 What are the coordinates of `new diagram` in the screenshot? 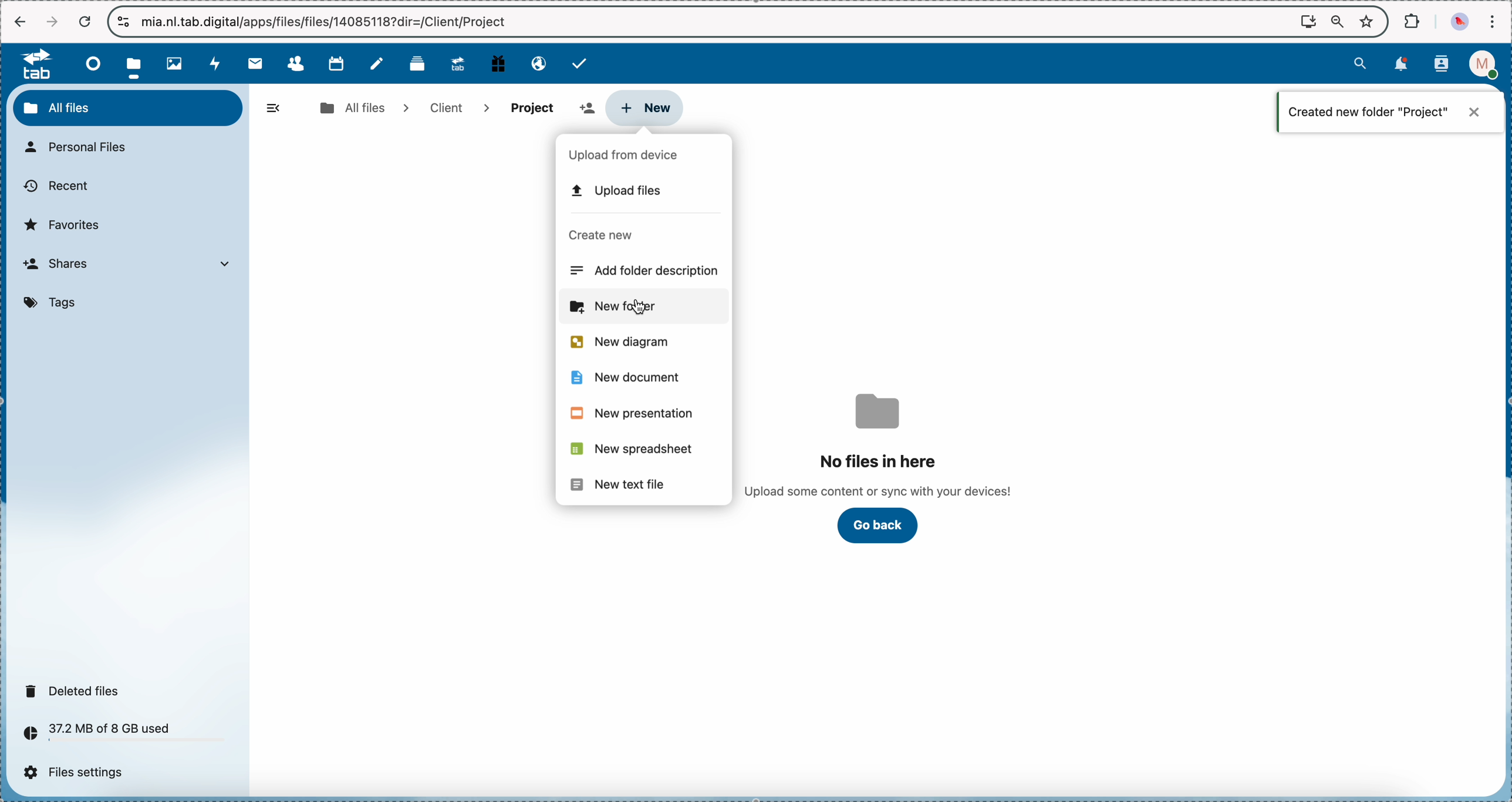 It's located at (617, 342).